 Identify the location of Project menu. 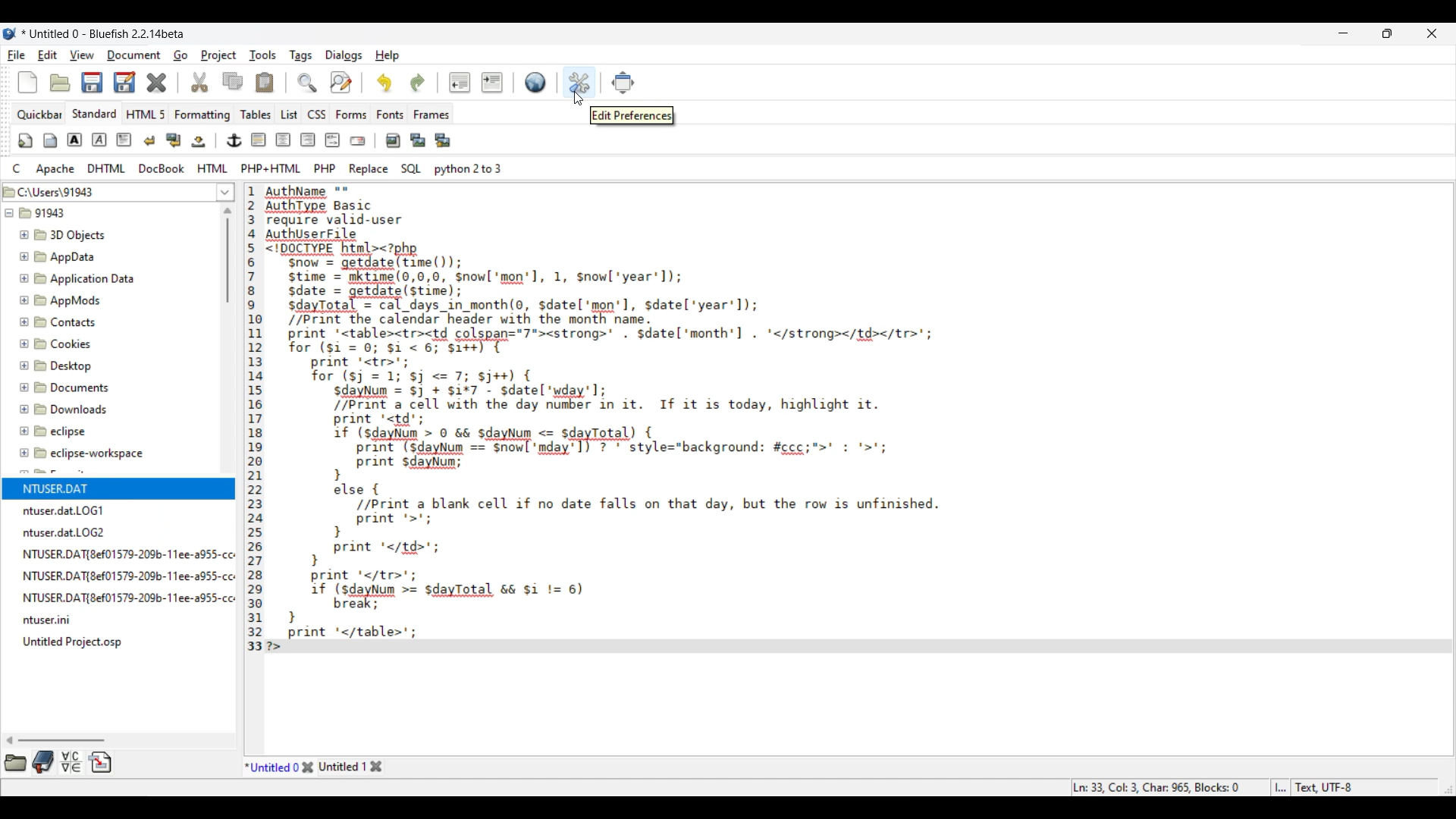
(218, 55).